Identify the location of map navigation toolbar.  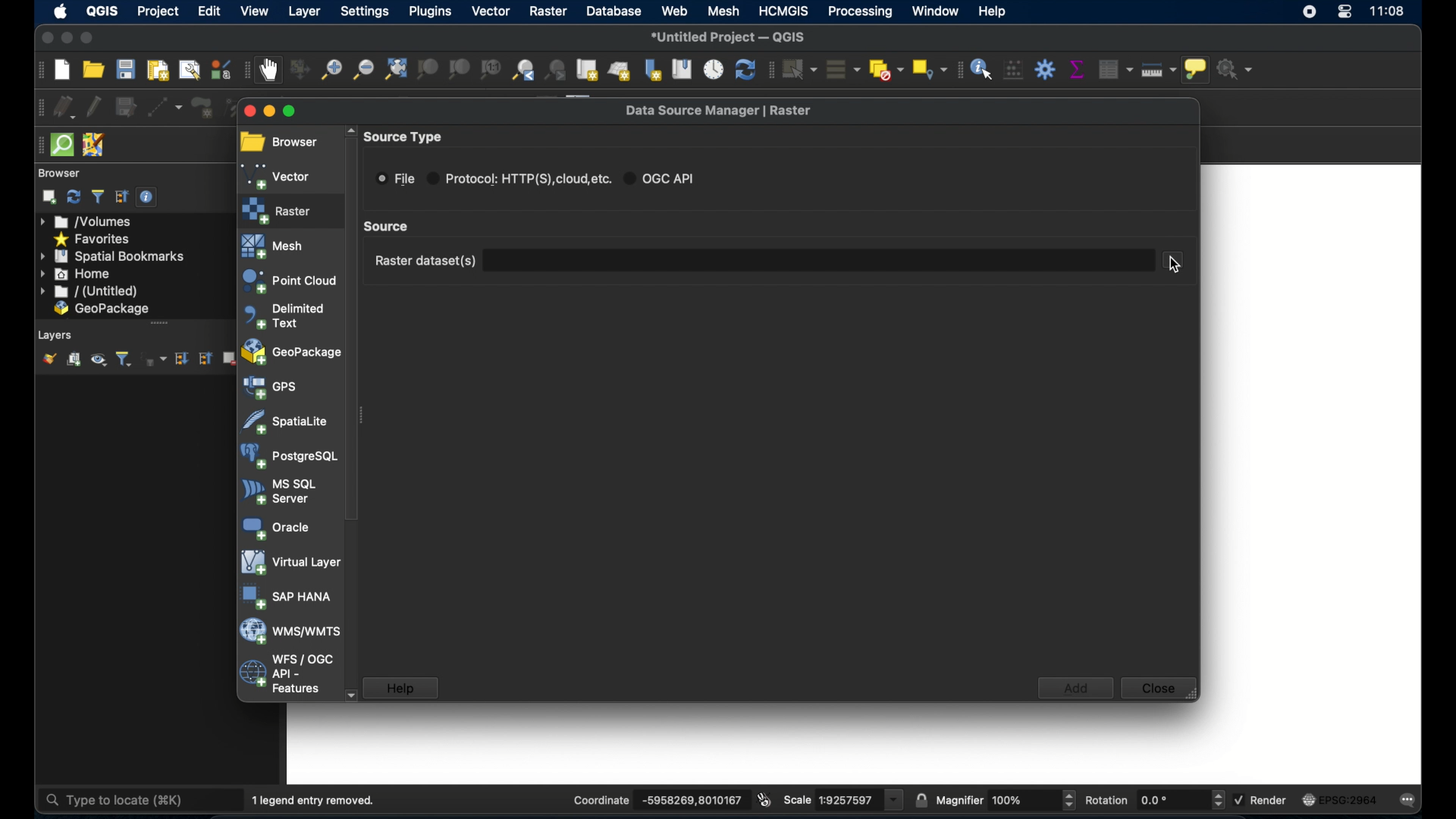
(247, 70).